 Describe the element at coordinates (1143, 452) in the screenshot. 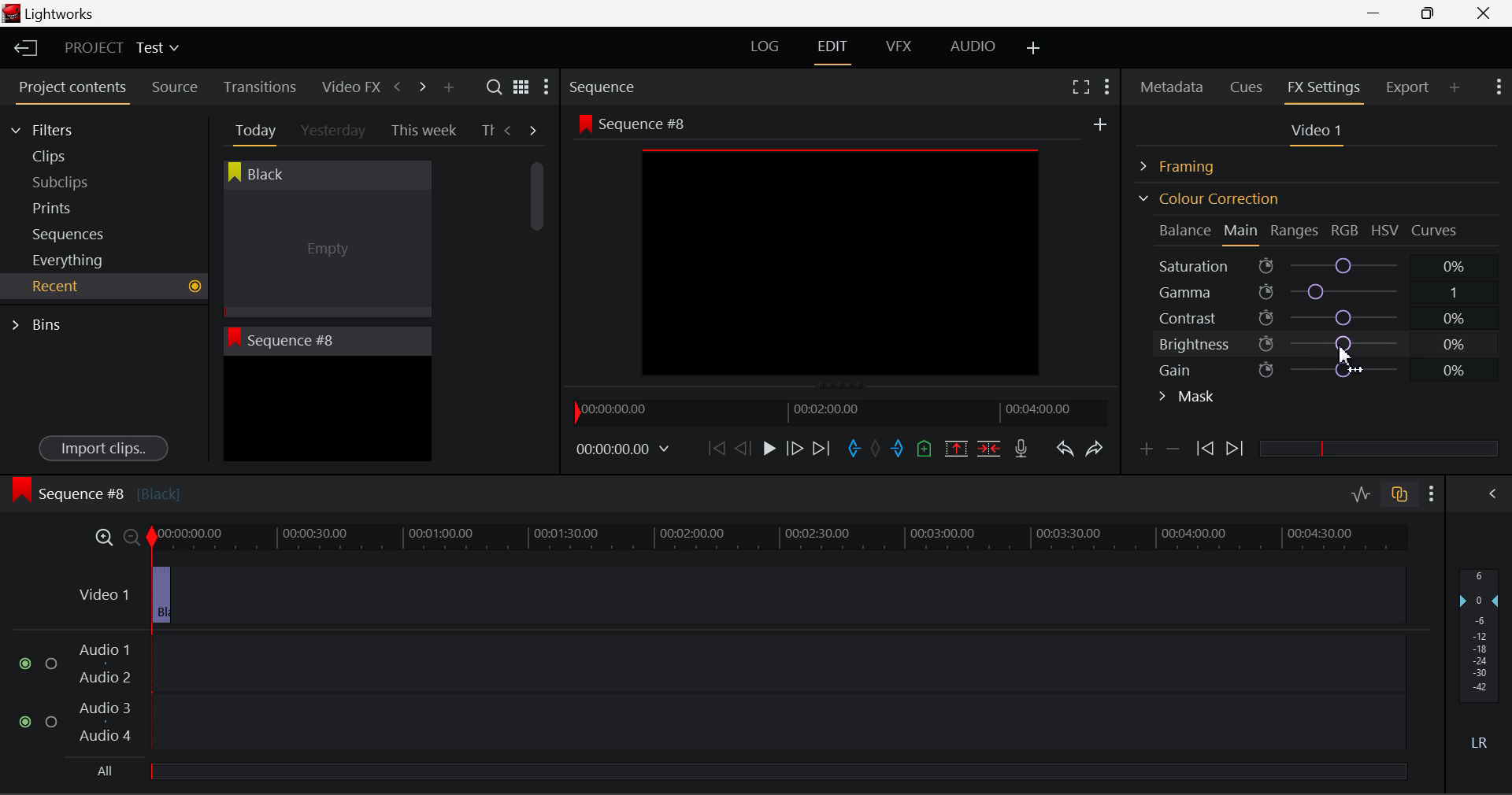

I see `Add keyframe` at that location.